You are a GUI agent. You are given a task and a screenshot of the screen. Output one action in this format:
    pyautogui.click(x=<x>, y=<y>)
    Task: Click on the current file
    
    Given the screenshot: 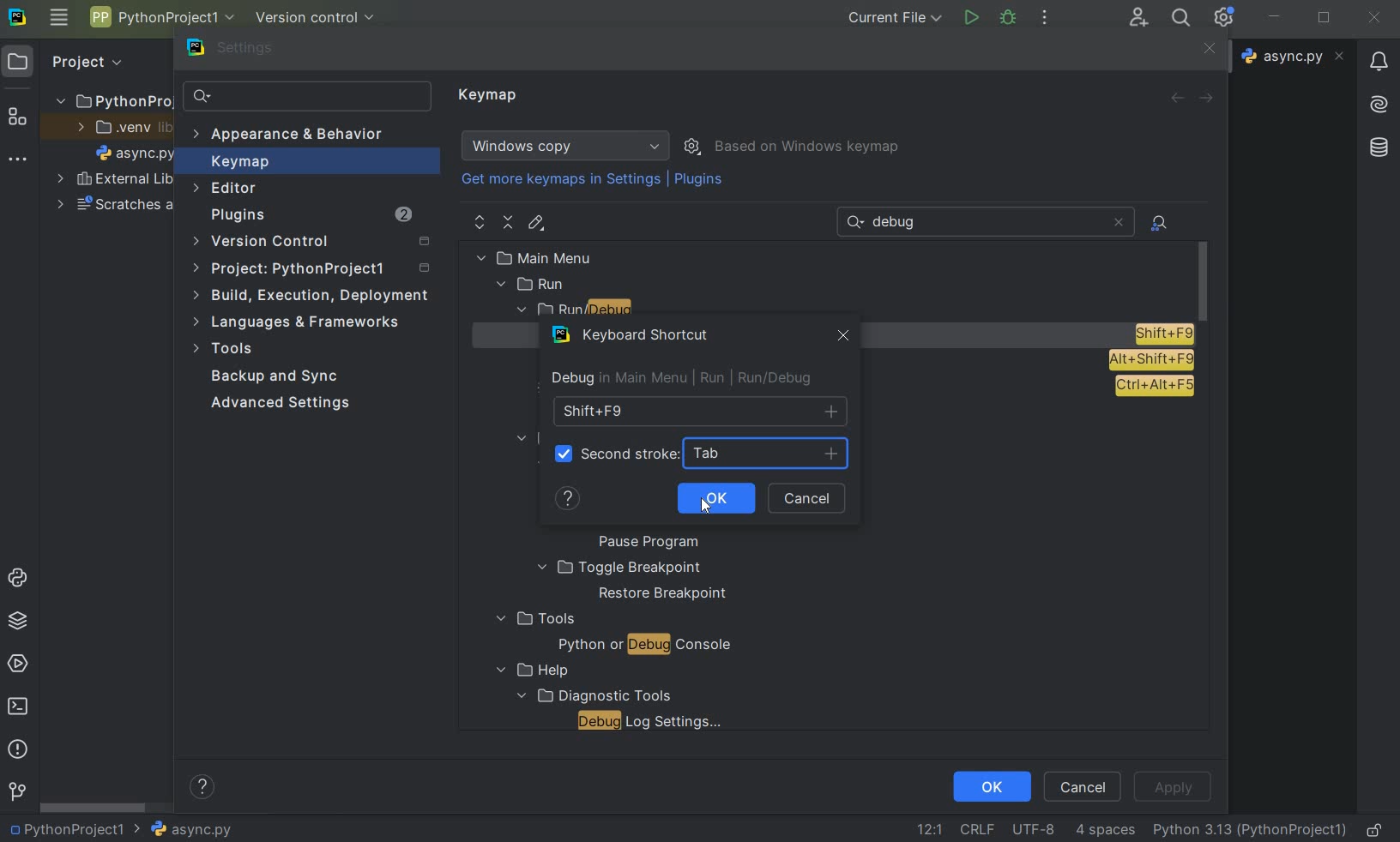 What is the action you would take?
    pyautogui.click(x=896, y=17)
    